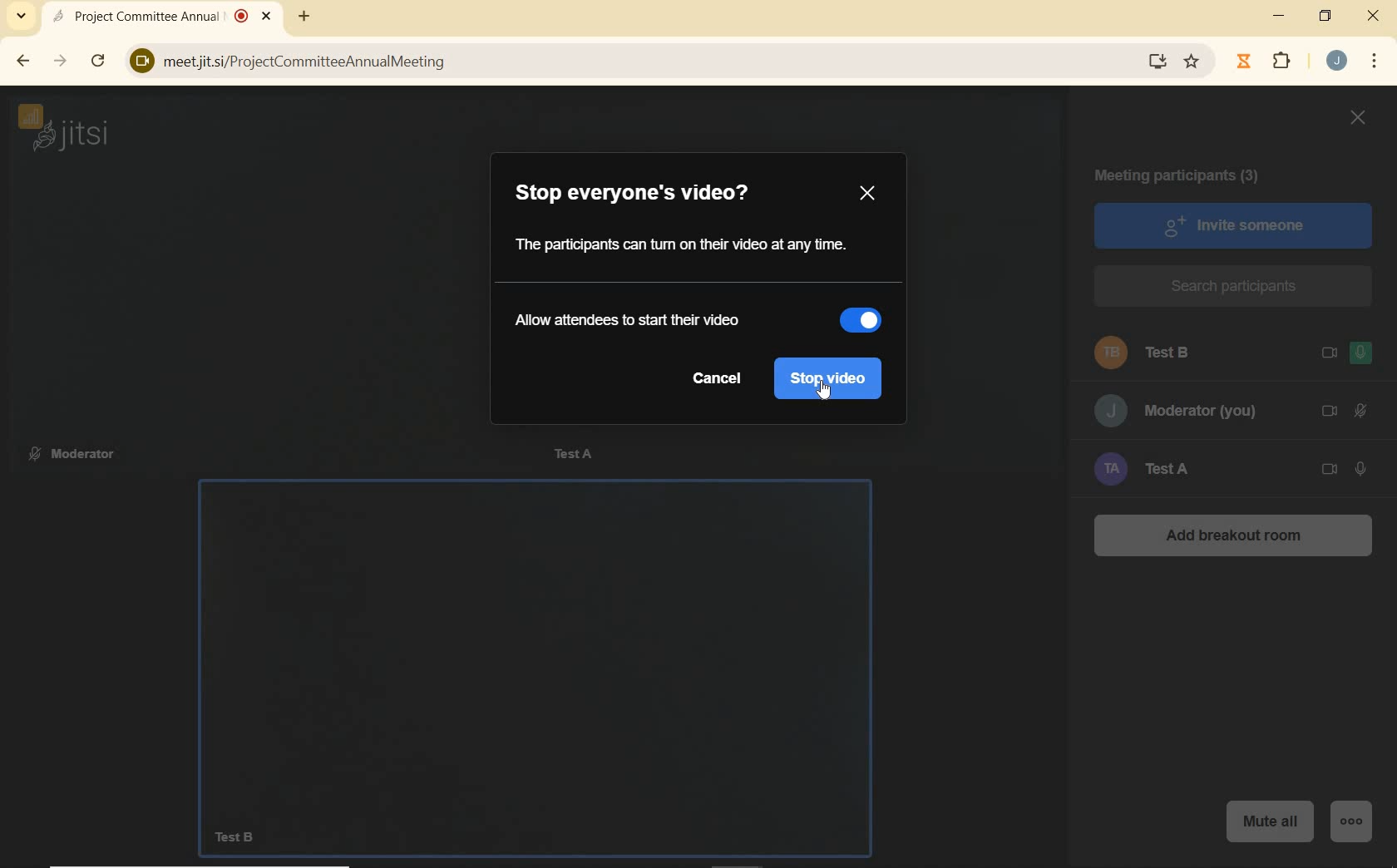  Describe the element at coordinates (871, 195) in the screenshot. I see `CLOSE` at that location.